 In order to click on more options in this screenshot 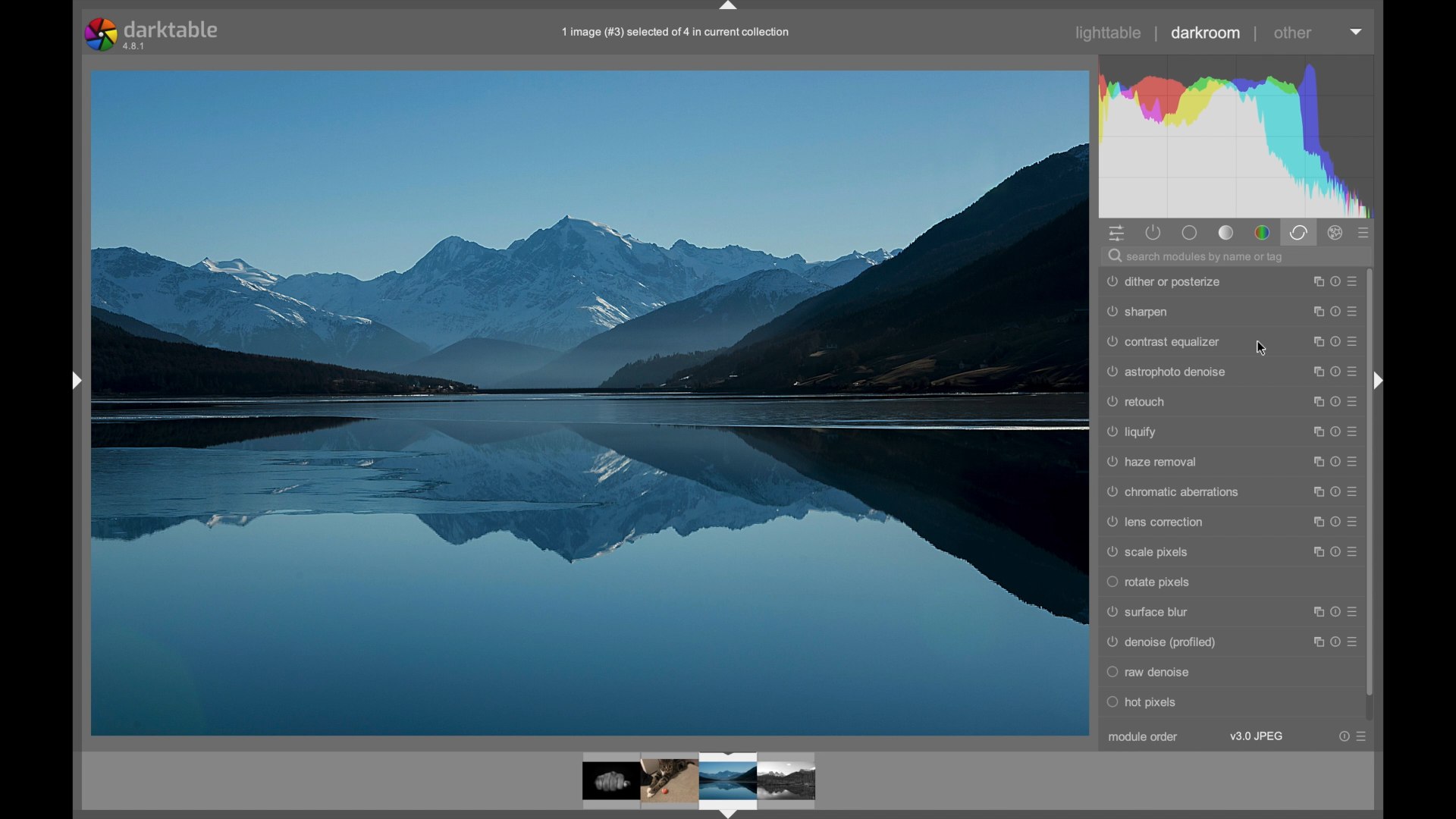, I will do `click(1333, 341)`.